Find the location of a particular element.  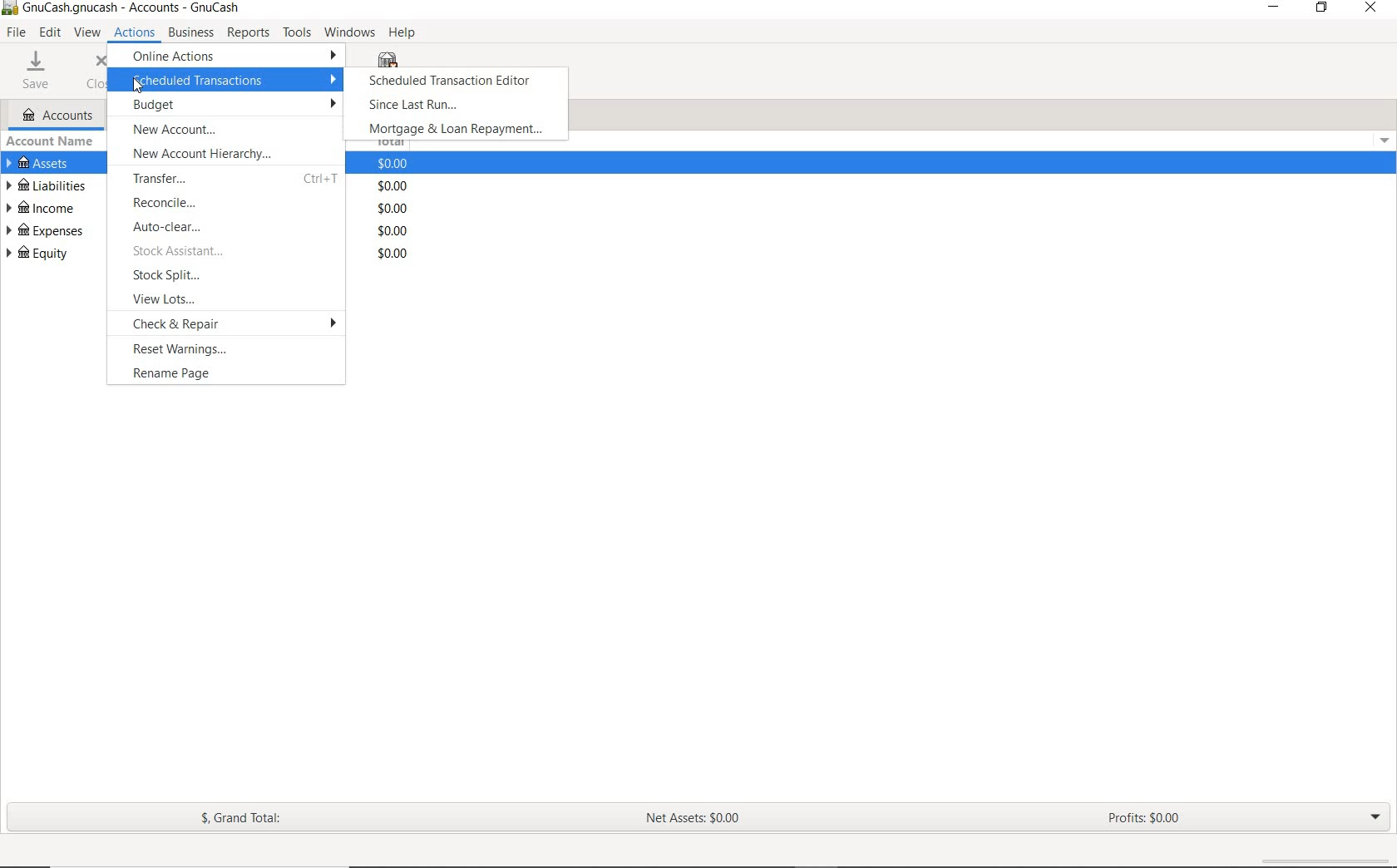

TOOLS is located at coordinates (297, 32).